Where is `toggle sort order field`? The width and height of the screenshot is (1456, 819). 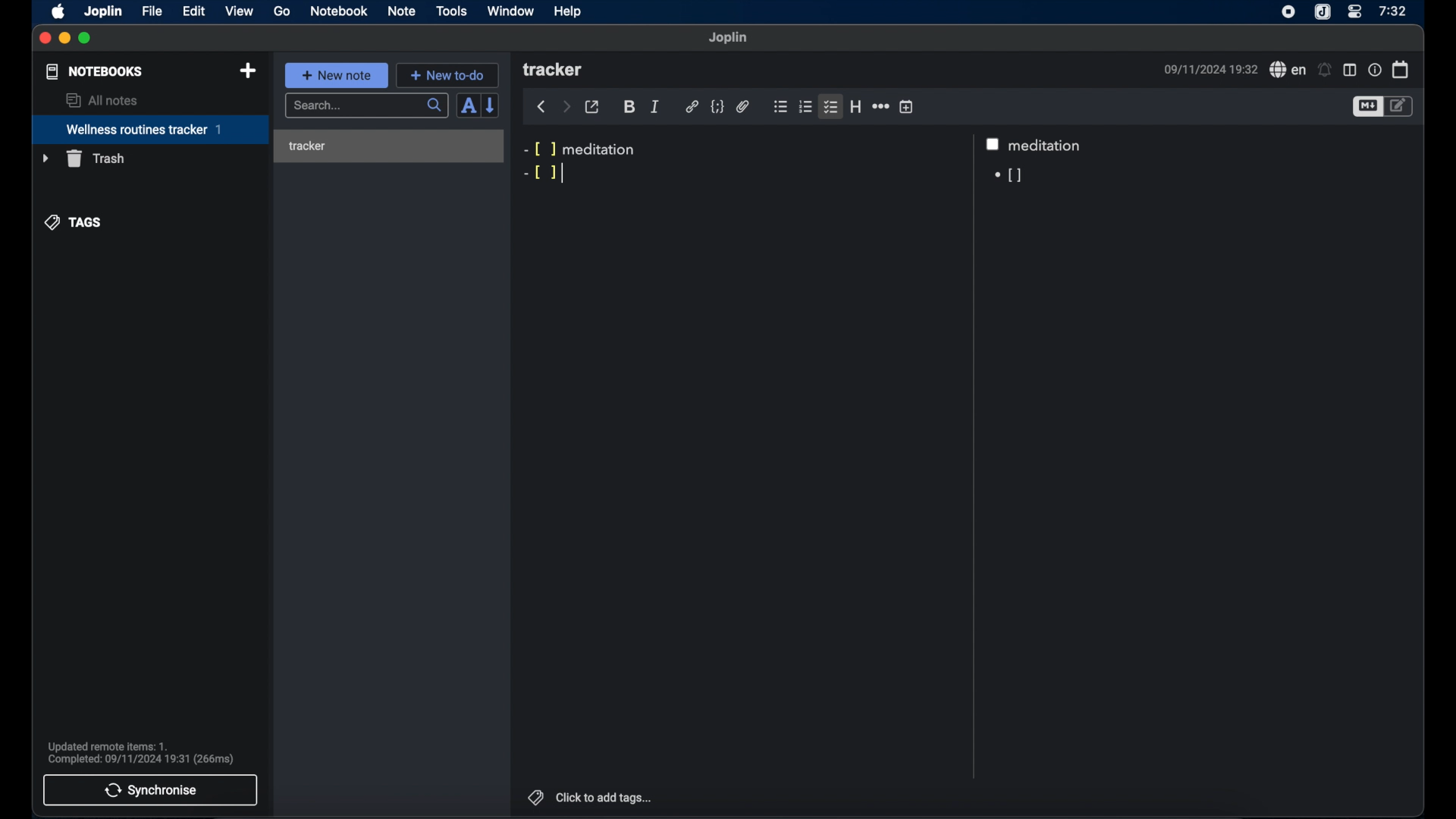 toggle sort order field is located at coordinates (468, 105).